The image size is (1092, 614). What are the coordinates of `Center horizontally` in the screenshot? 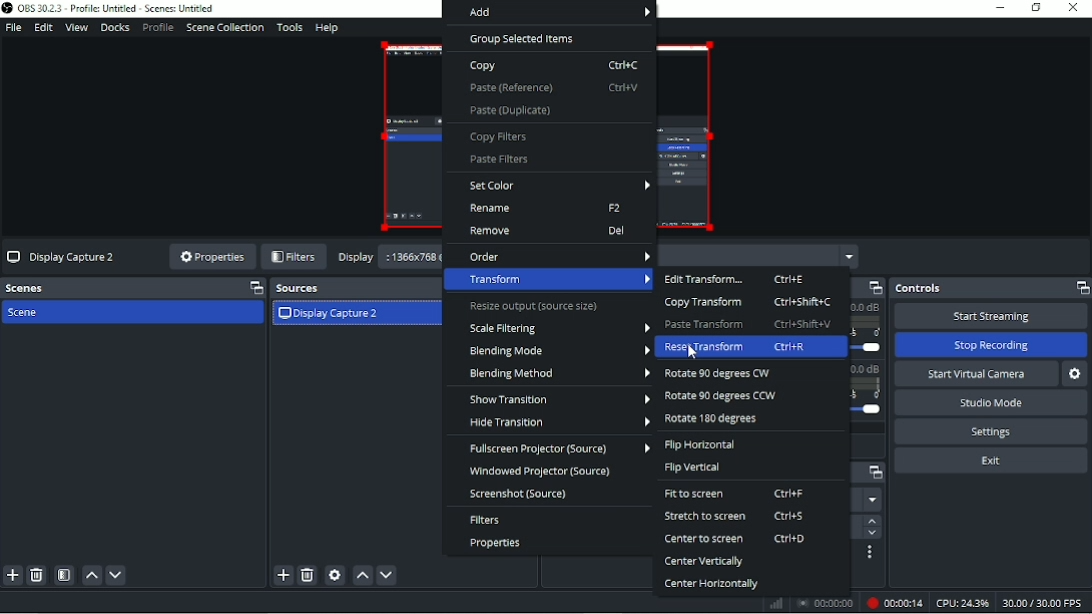 It's located at (711, 584).